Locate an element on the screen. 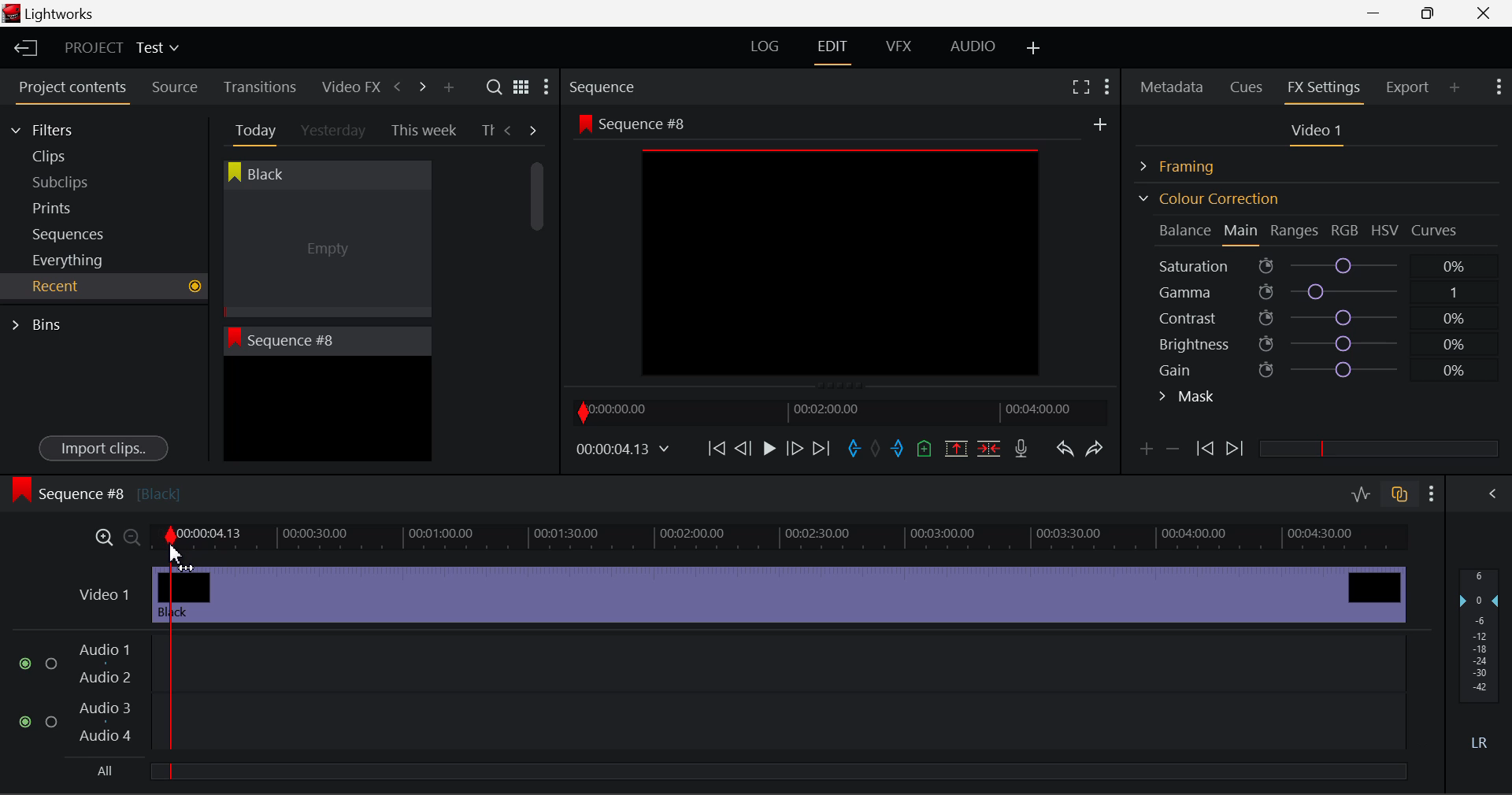 Image resolution: width=1512 pixels, height=795 pixels. Project Title is located at coordinates (122, 49).